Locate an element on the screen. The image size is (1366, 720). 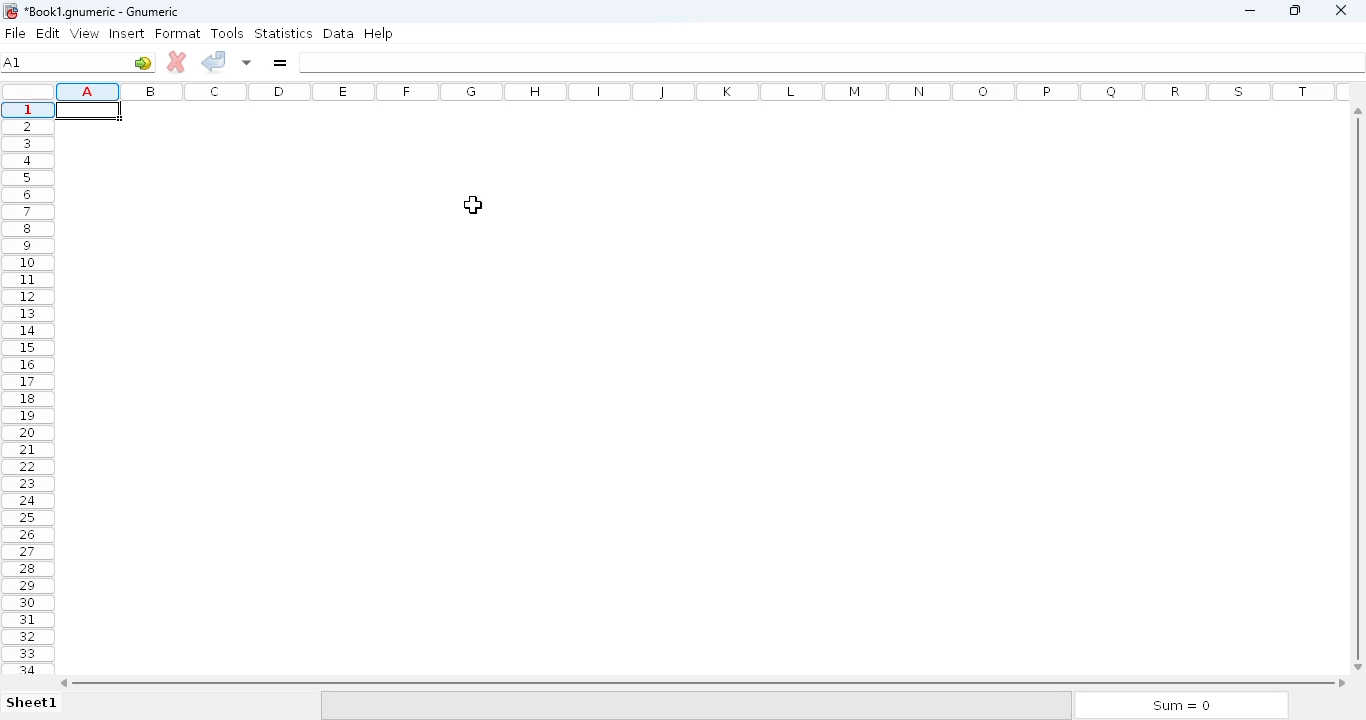
accept change in multiple cells is located at coordinates (246, 61).